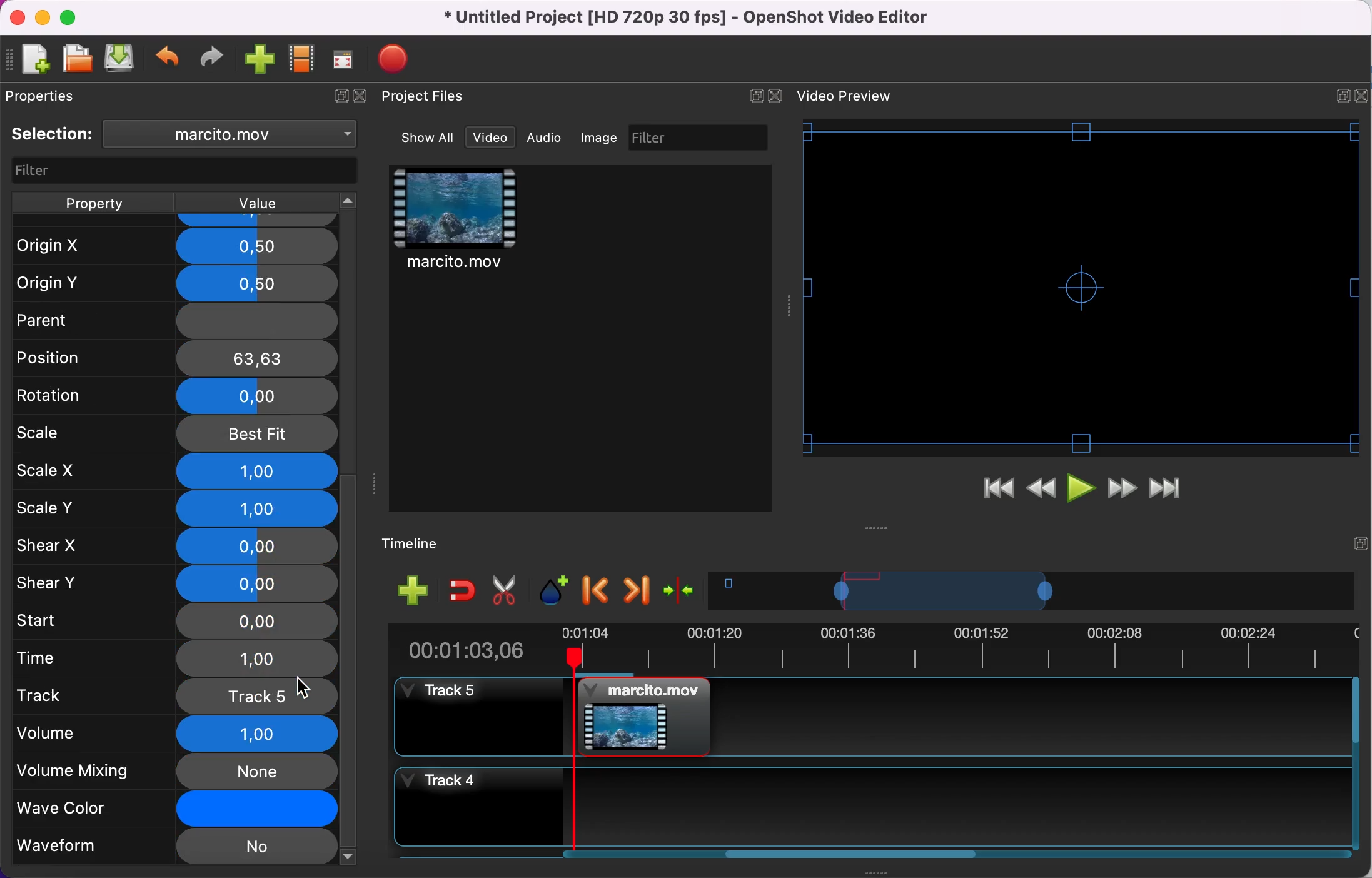  What do you see at coordinates (413, 589) in the screenshot?
I see `add track` at bounding box center [413, 589].